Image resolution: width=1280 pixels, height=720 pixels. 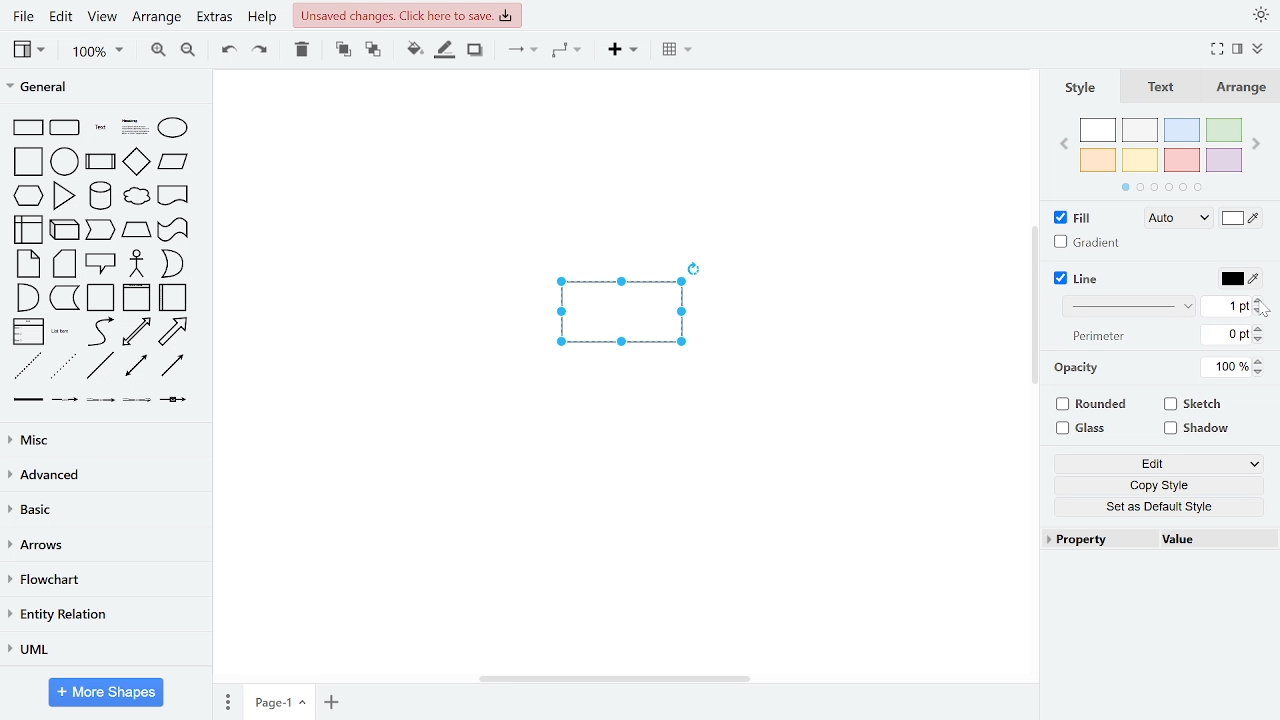 I want to click on edit, so click(x=1157, y=462).